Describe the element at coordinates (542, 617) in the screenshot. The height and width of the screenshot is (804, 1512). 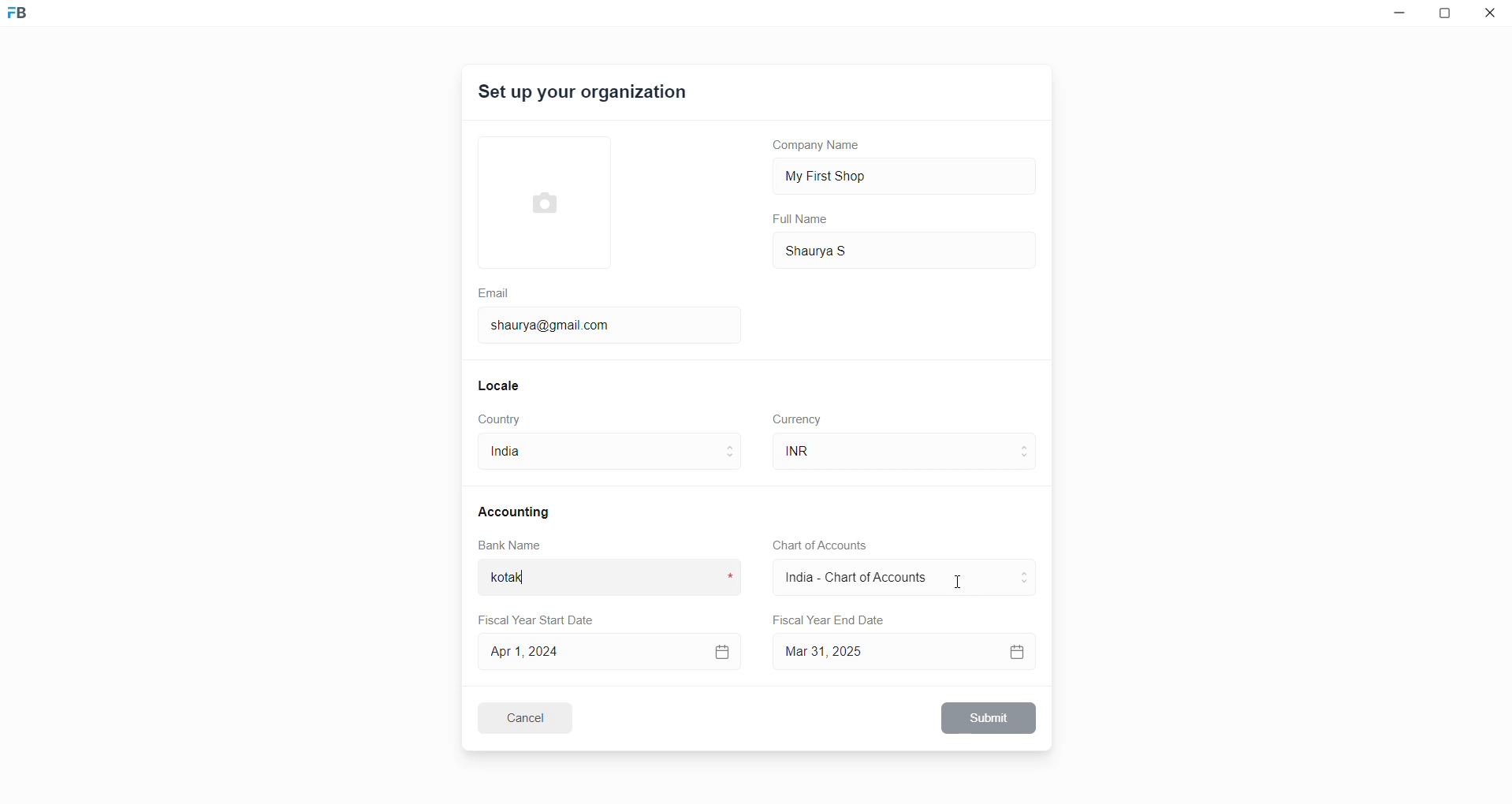
I see `Fiscal Year Start Date` at that location.